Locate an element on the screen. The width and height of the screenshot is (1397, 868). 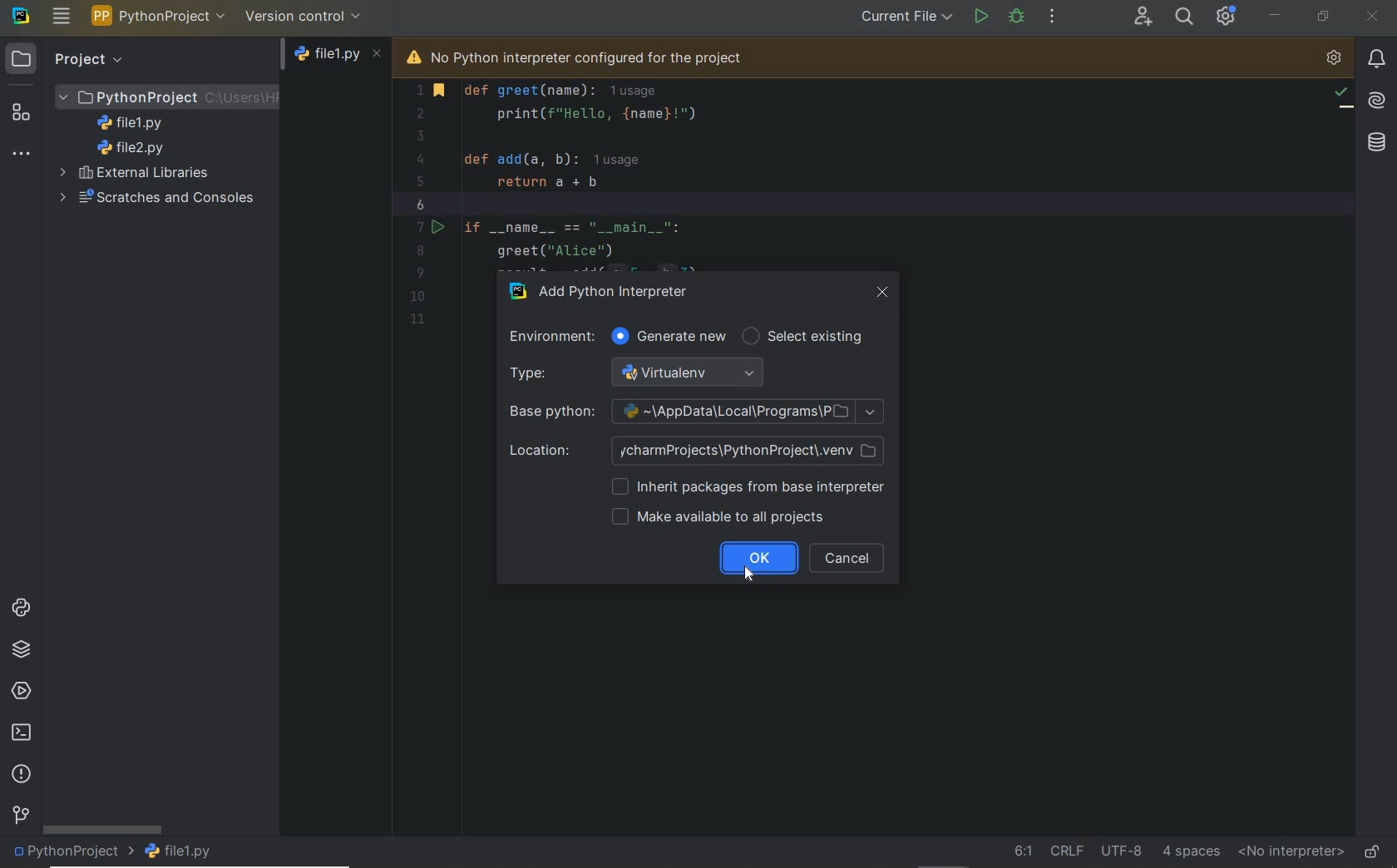
file name 2 is located at coordinates (131, 148).